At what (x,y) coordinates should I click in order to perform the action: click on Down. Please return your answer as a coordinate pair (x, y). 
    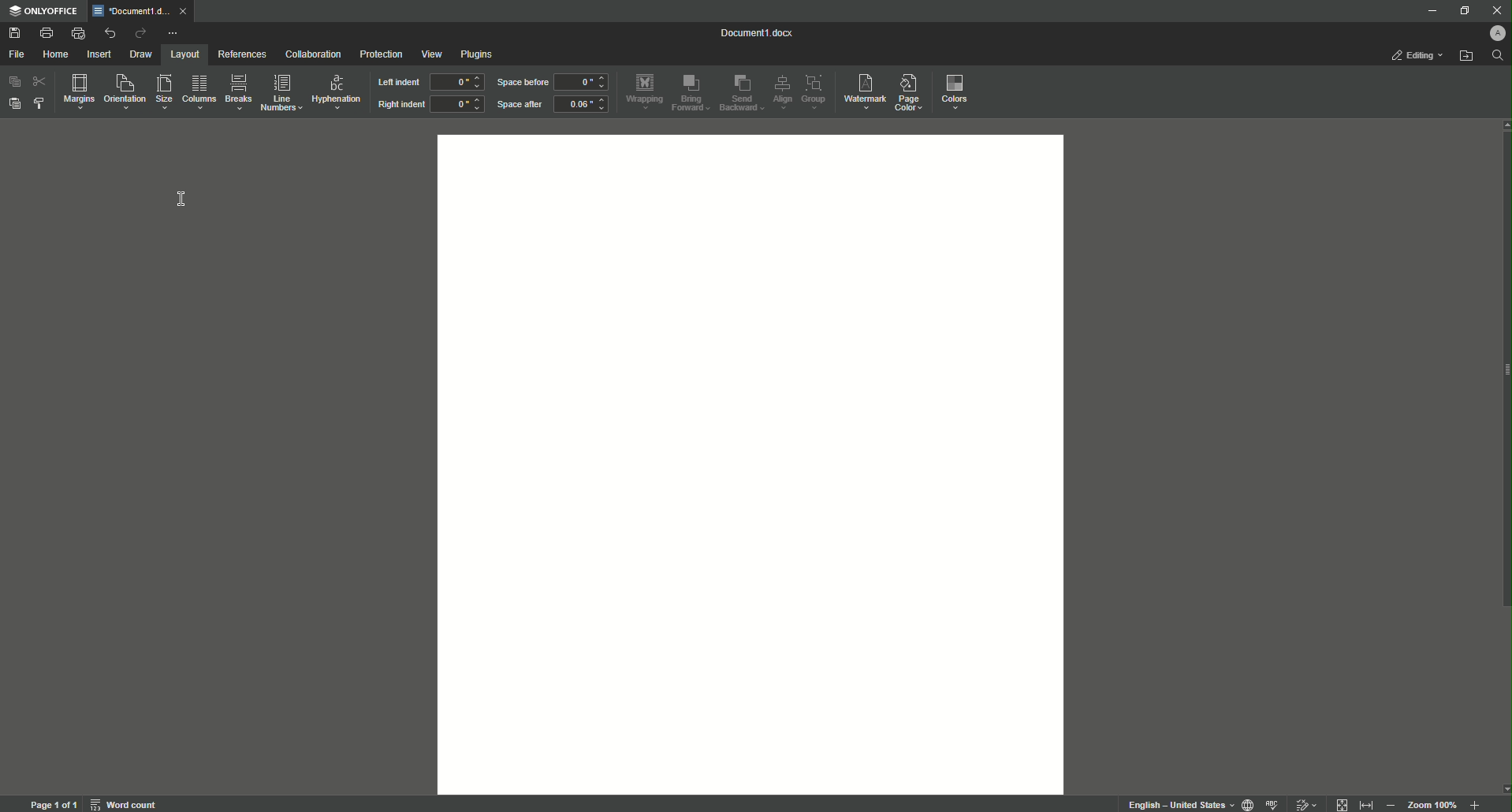
    Looking at the image, I should click on (1503, 785).